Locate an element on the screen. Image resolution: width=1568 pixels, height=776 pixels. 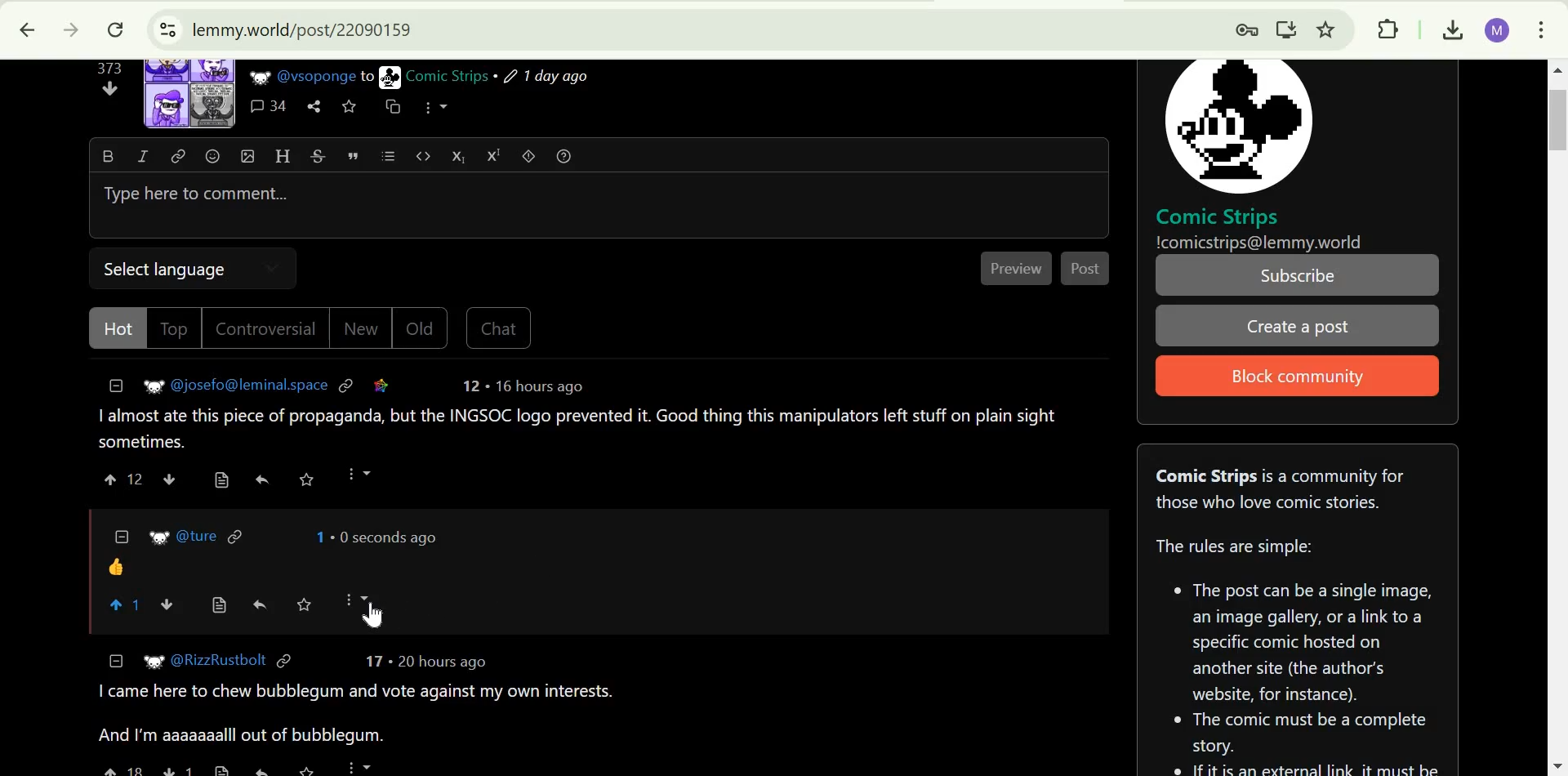
reply is located at coordinates (261, 479).